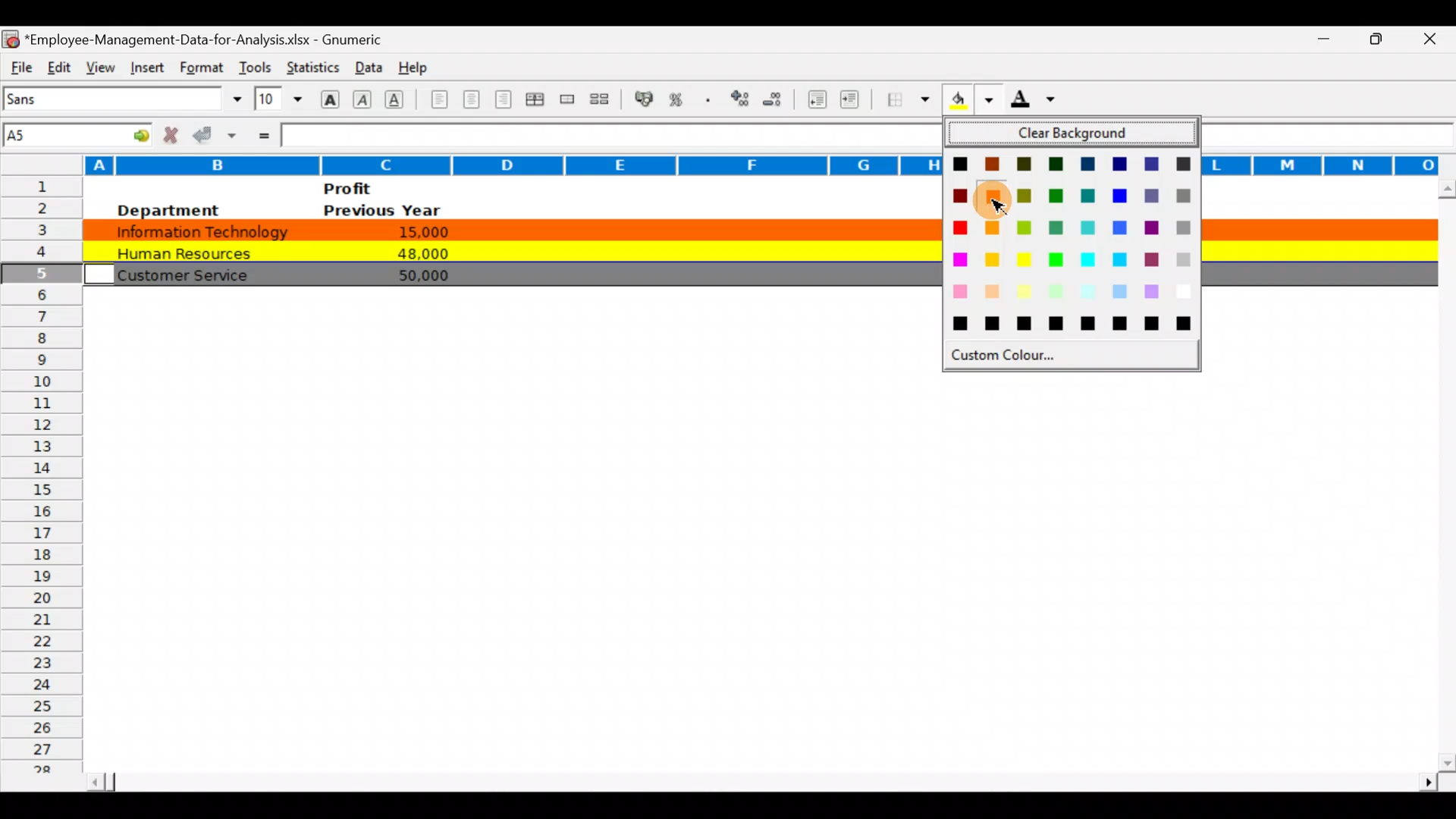 This screenshot has width=1456, height=819. Describe the element at coordinates (124, 99) in the screenshot. I see `Font name` at that location.